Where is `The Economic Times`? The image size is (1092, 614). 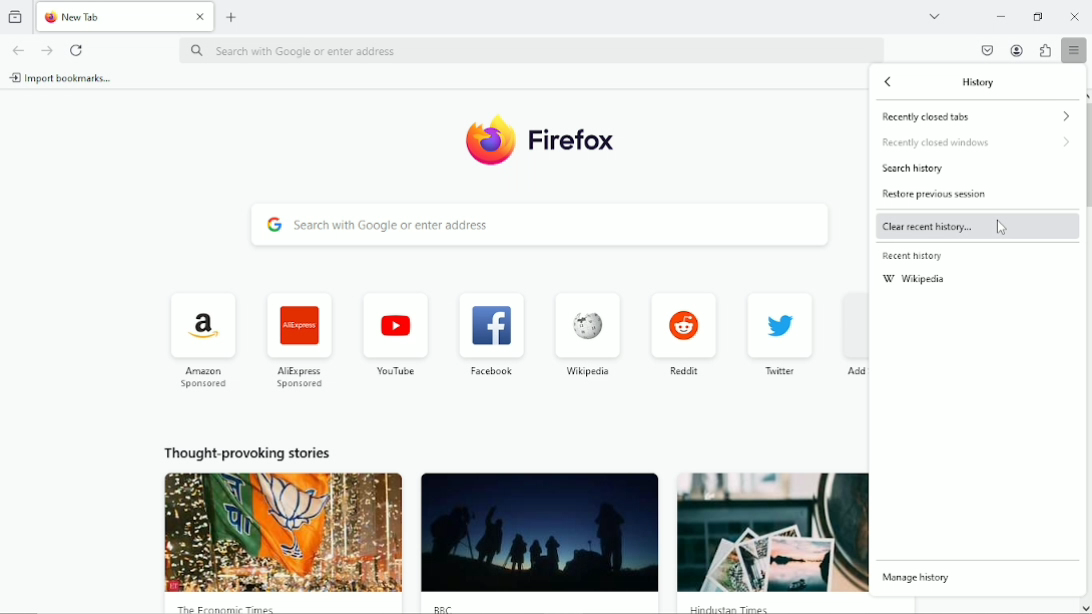 The Economic Times is located at coordinates (228, 607).